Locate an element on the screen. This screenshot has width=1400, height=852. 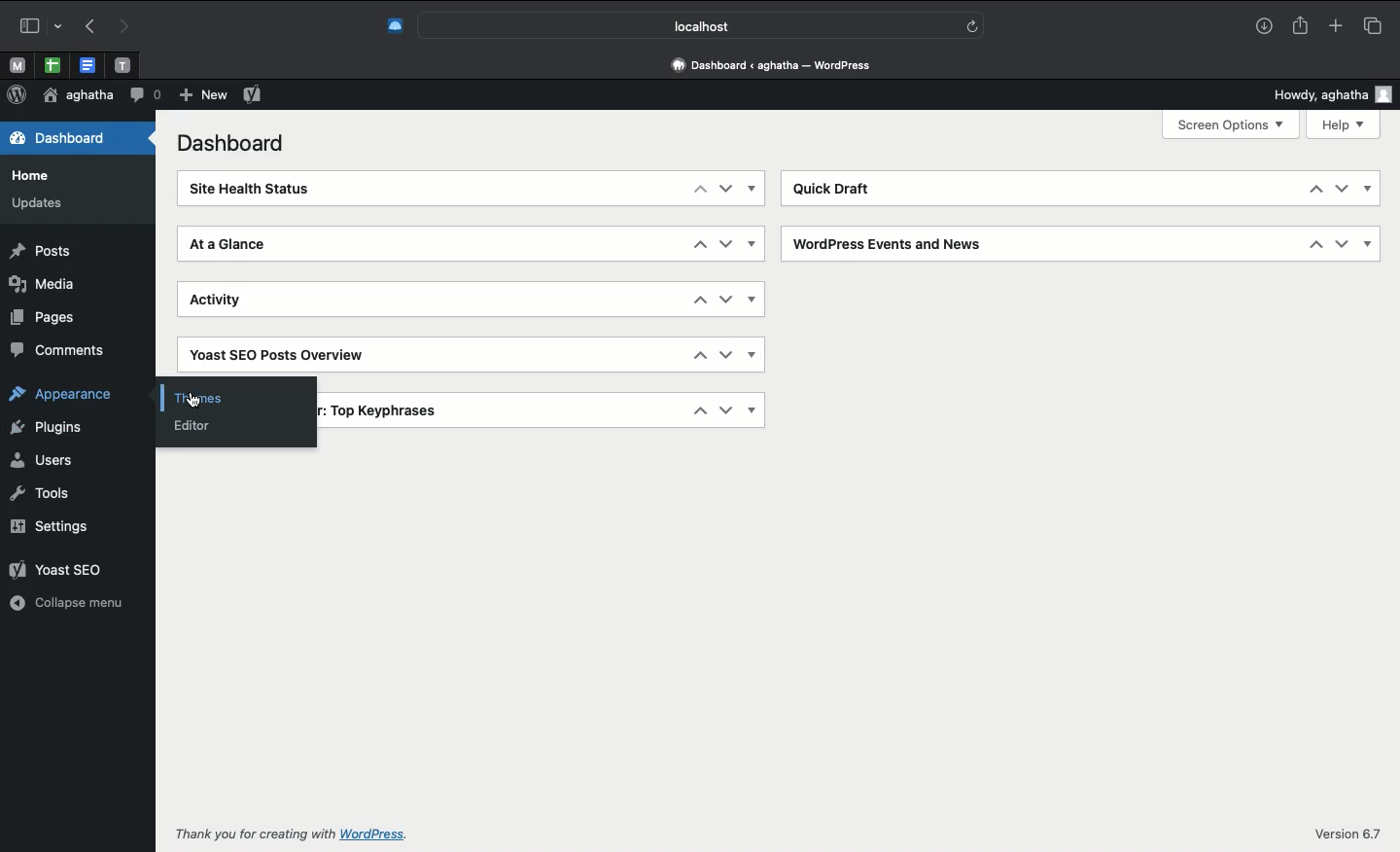
Down is located at coordinates (725, 188).